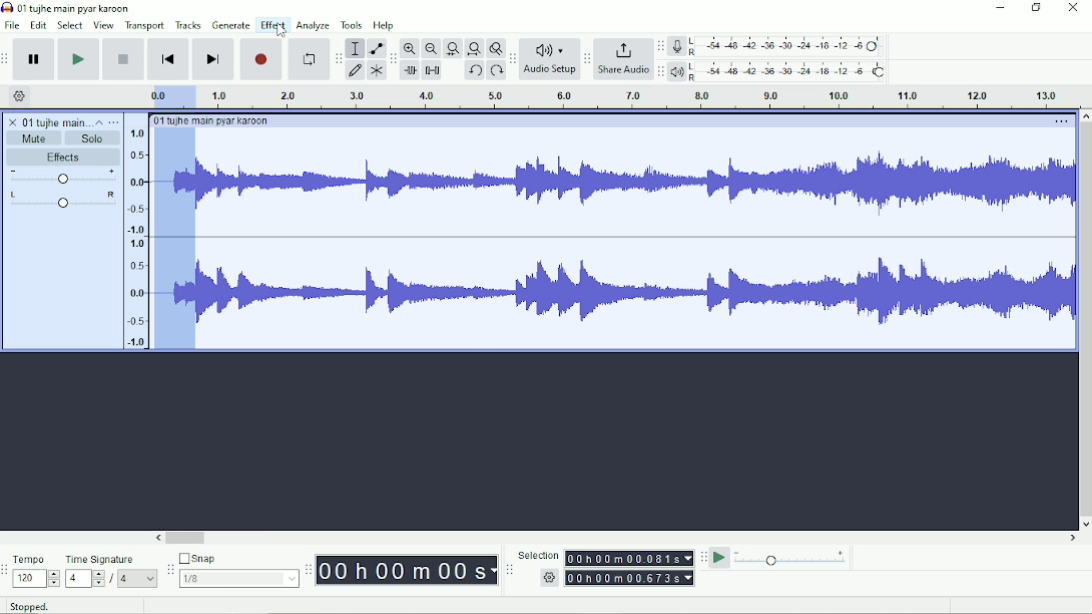 This screenshot has height=614, width=1092. I want to click on Audacity tools toolbar, so click(338, 55).